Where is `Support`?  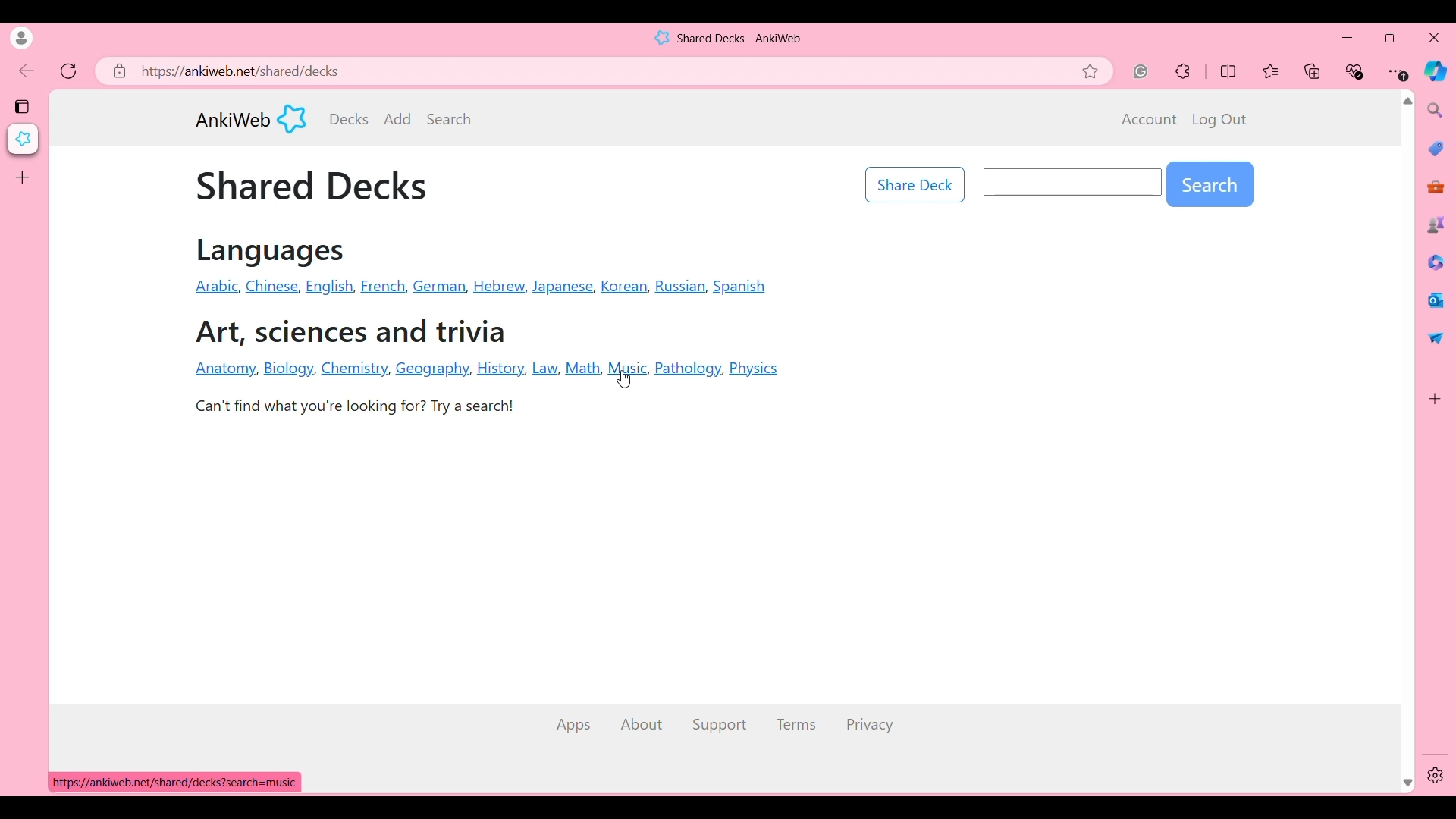
Support is located at coordinates (718, 726).